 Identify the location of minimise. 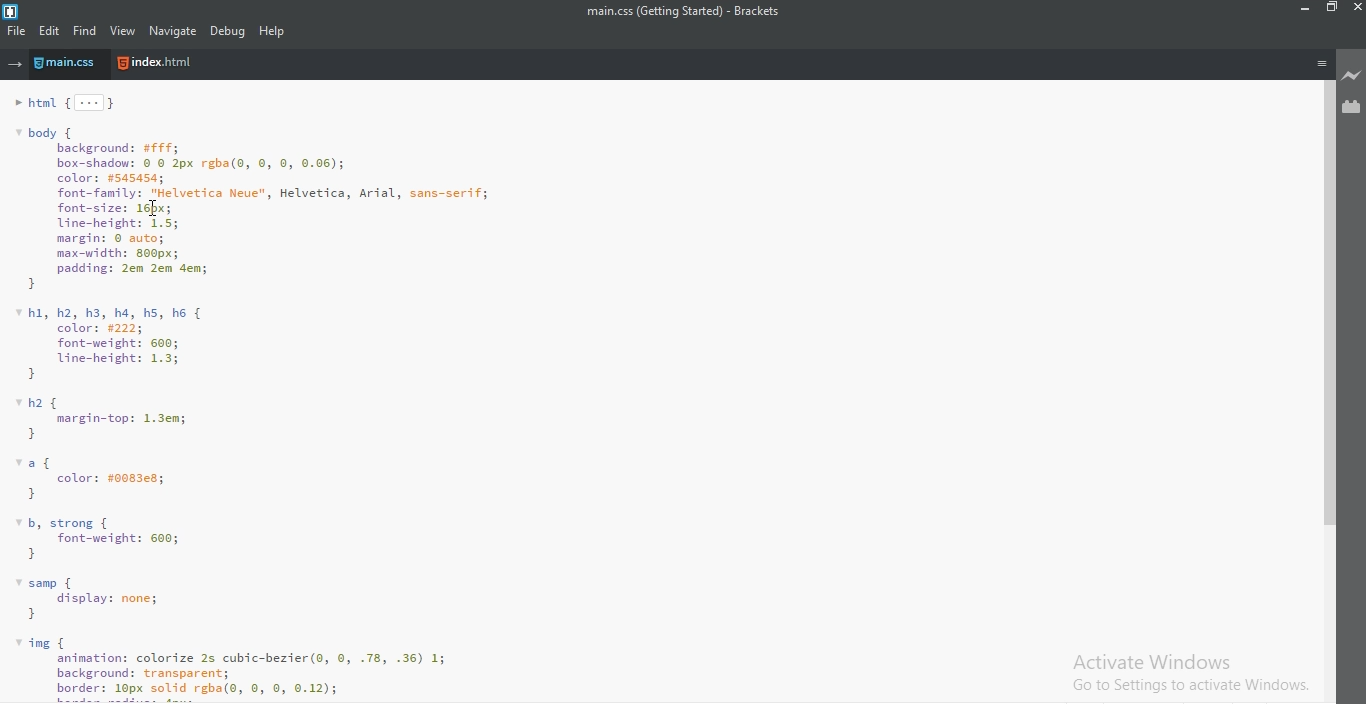
(1302, 10).